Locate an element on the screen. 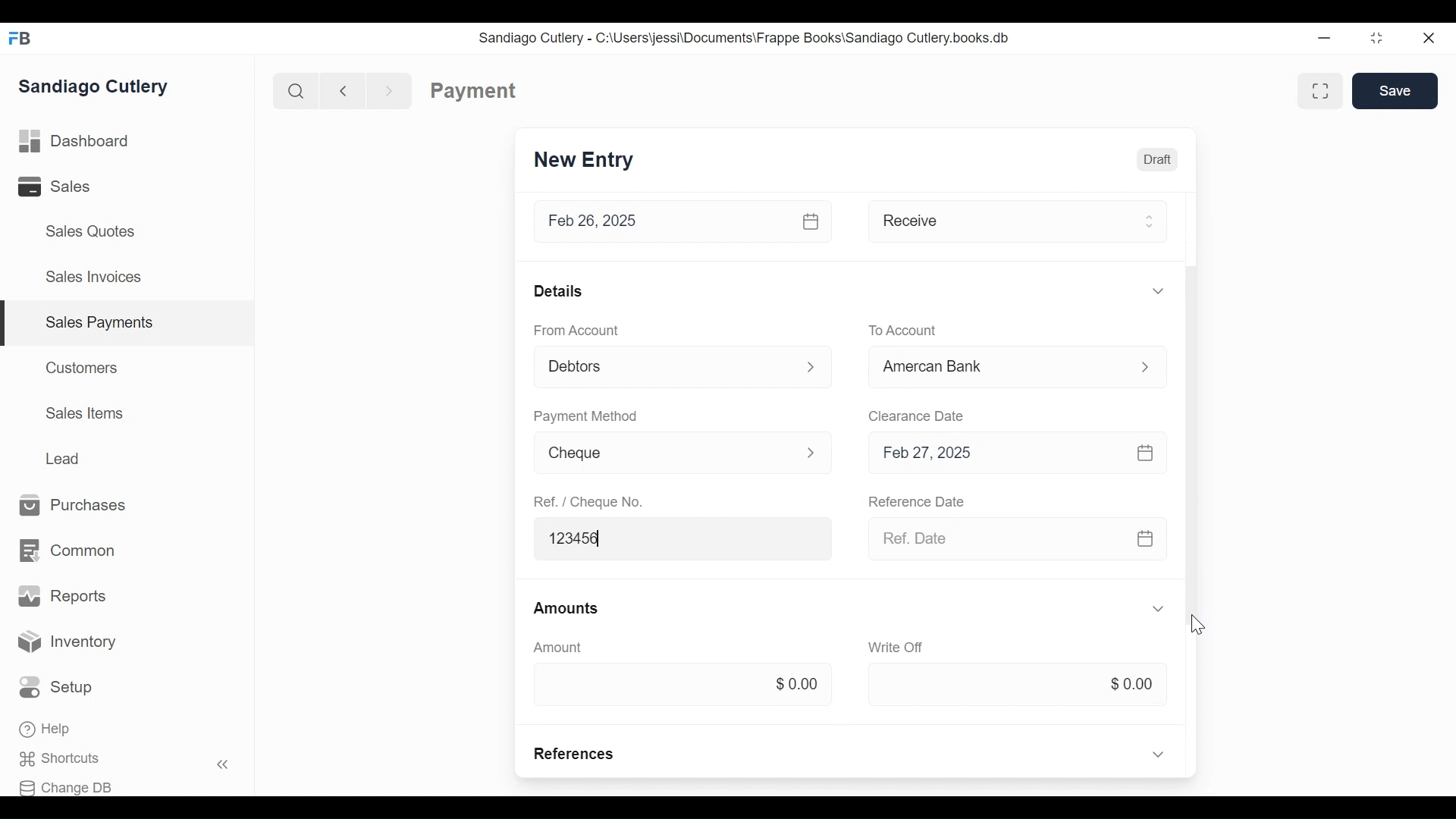  Receive is located at coordinates (995, 220).